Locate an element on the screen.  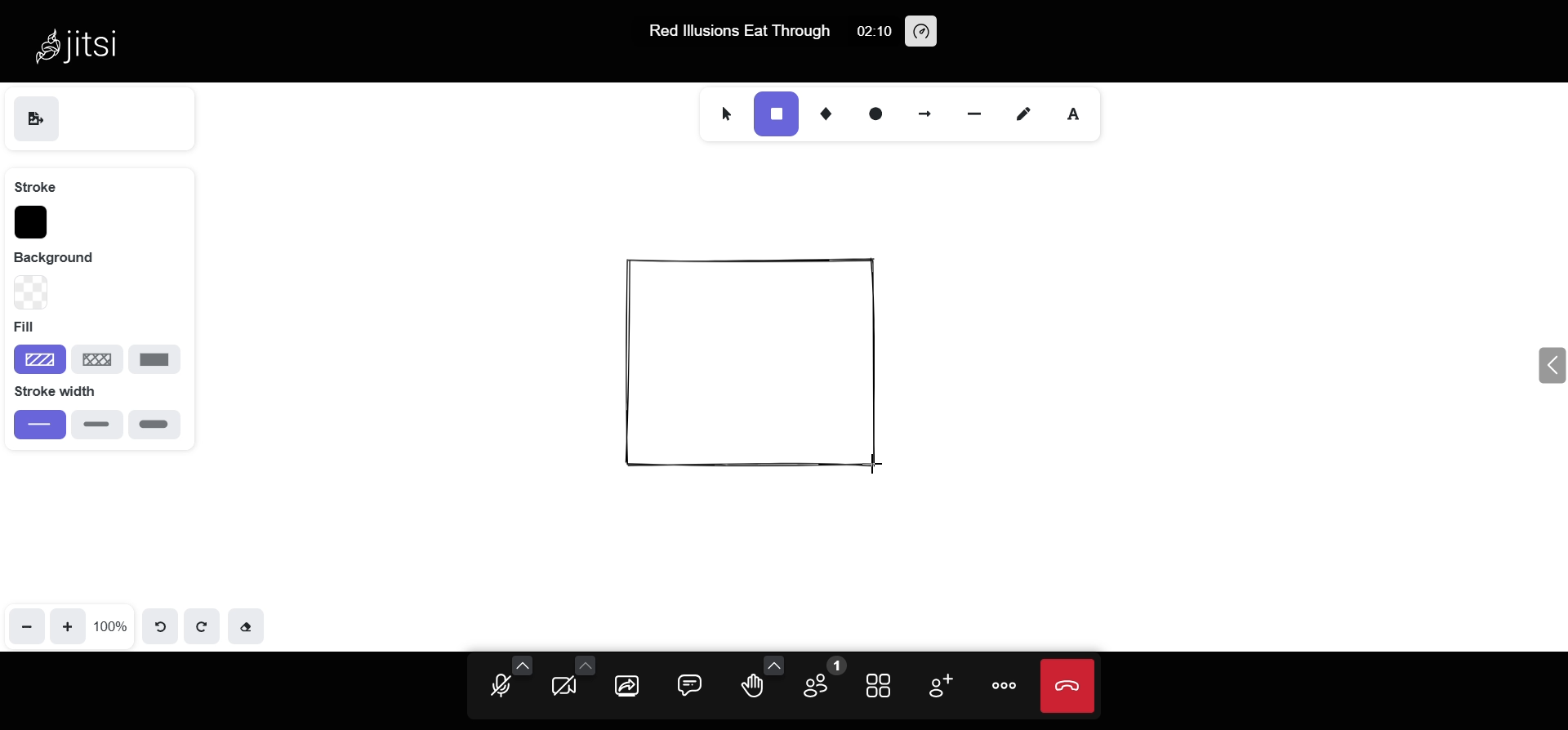
rectangle is located at coordinates (775, 114).